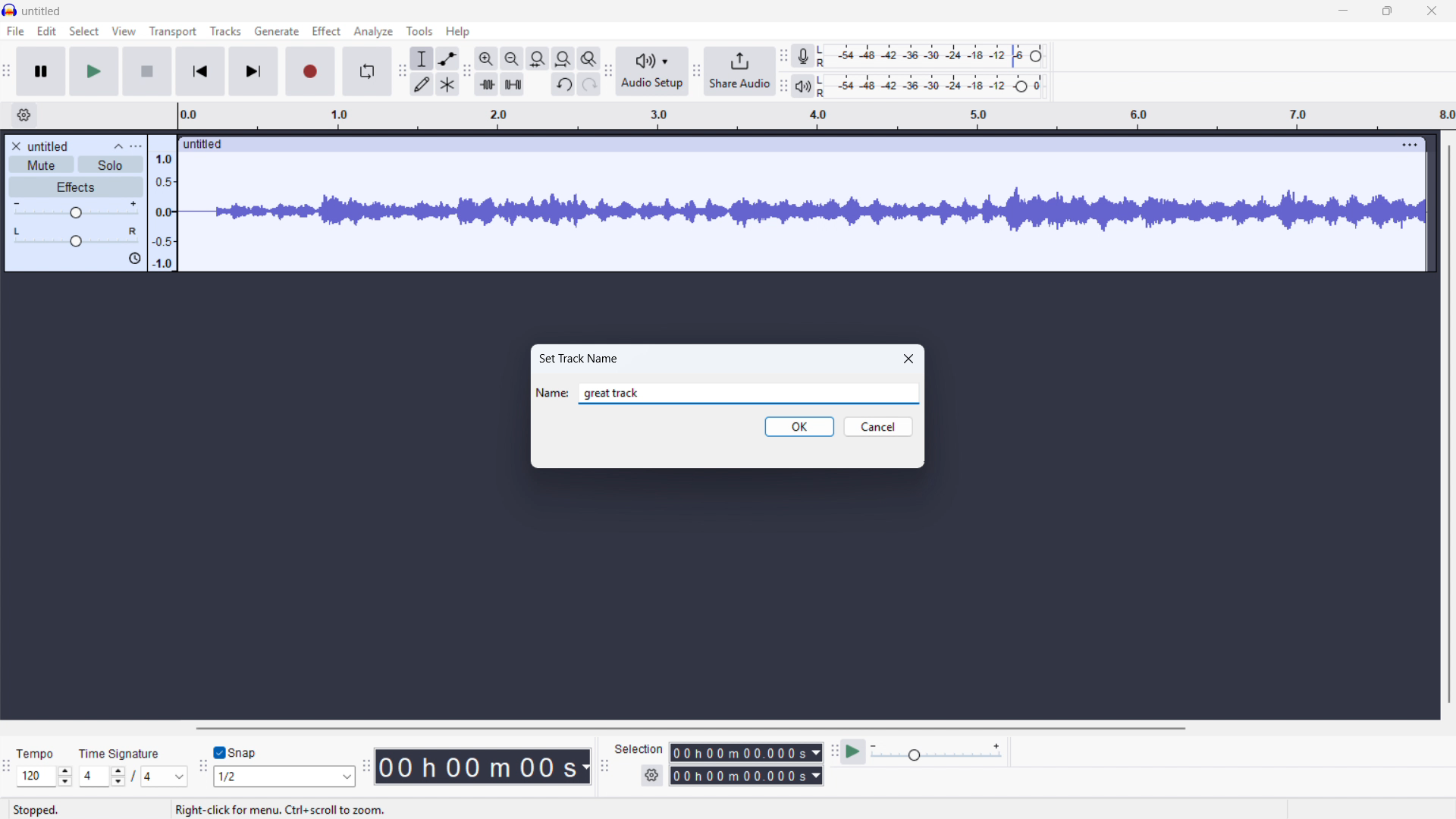 This screenshot has height=819, width=1456. I want to click on Time toolbar , so click(366, 768).